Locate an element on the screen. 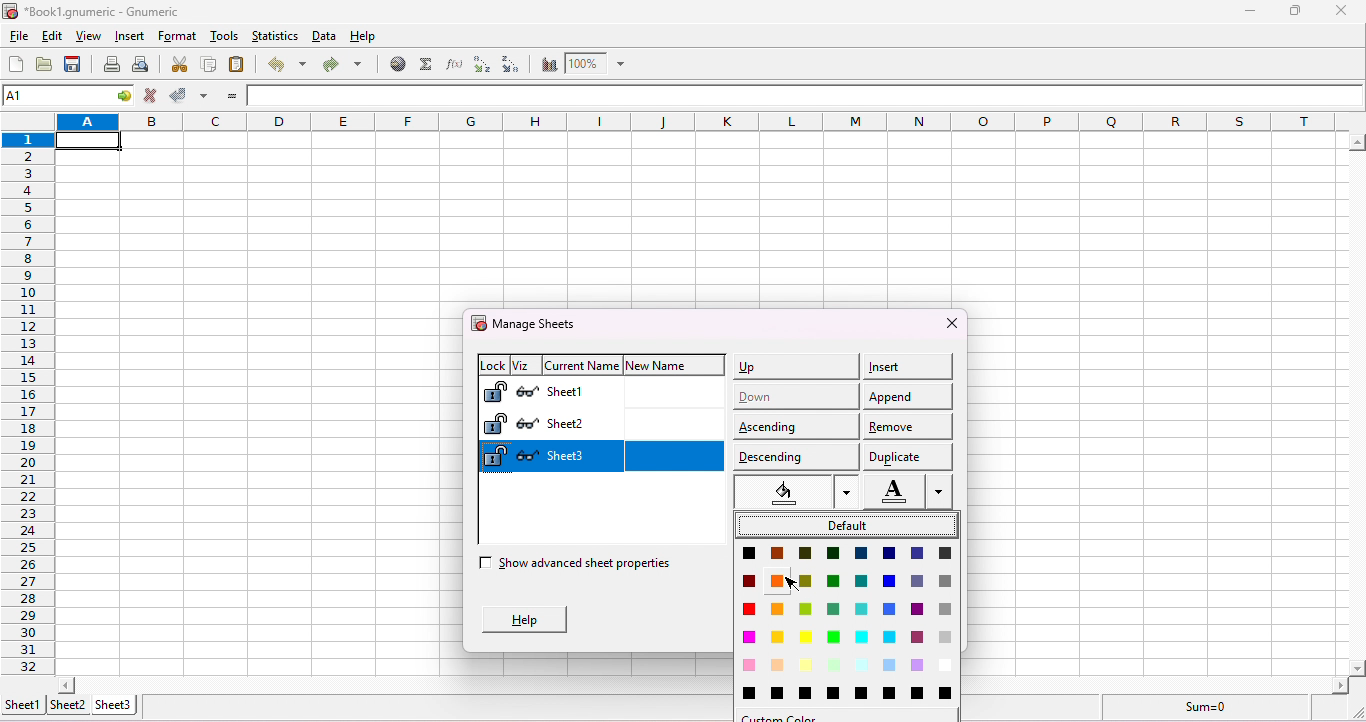 The height and width of the screenshot is (722, 1366). copy is located at coordinates (205, 66).